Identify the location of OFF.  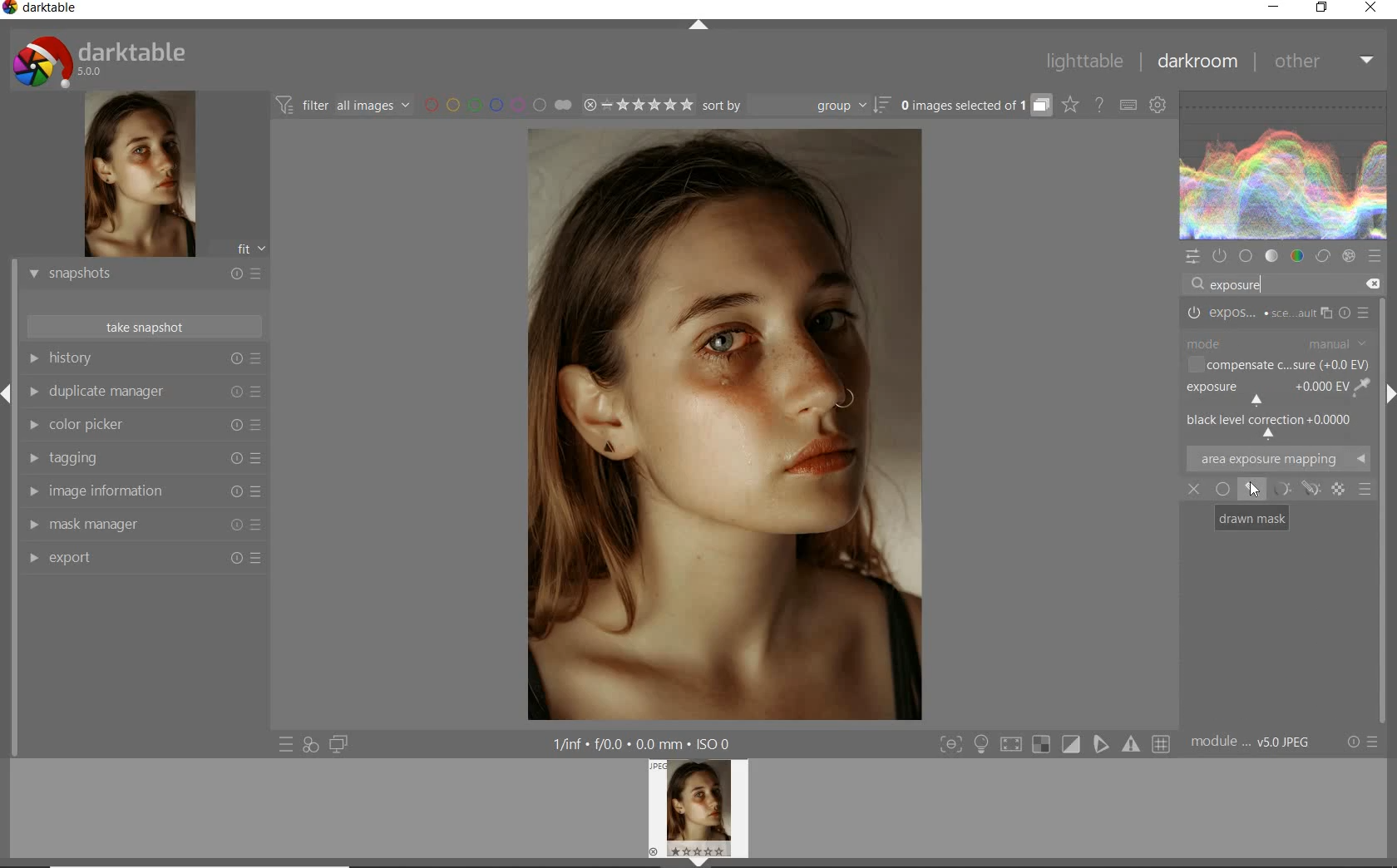
(1195, 489).